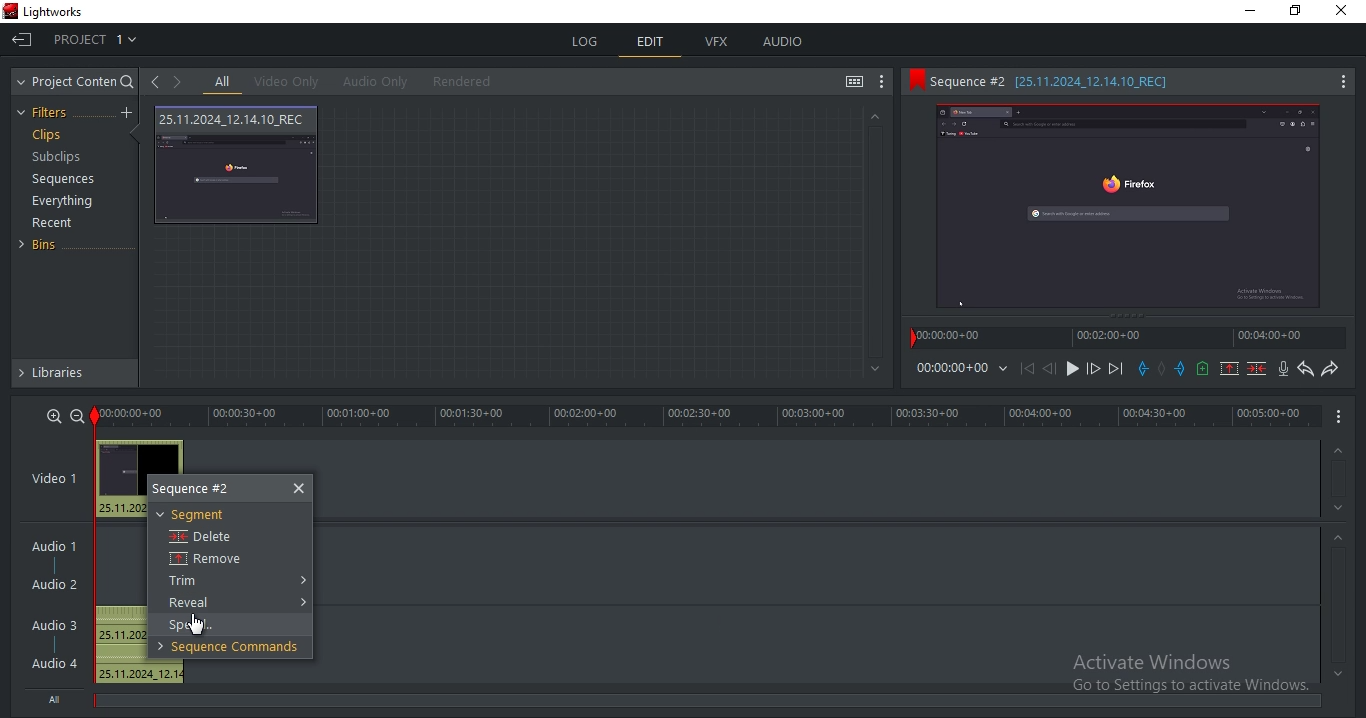  I want to click on edit, so click(651, 44).